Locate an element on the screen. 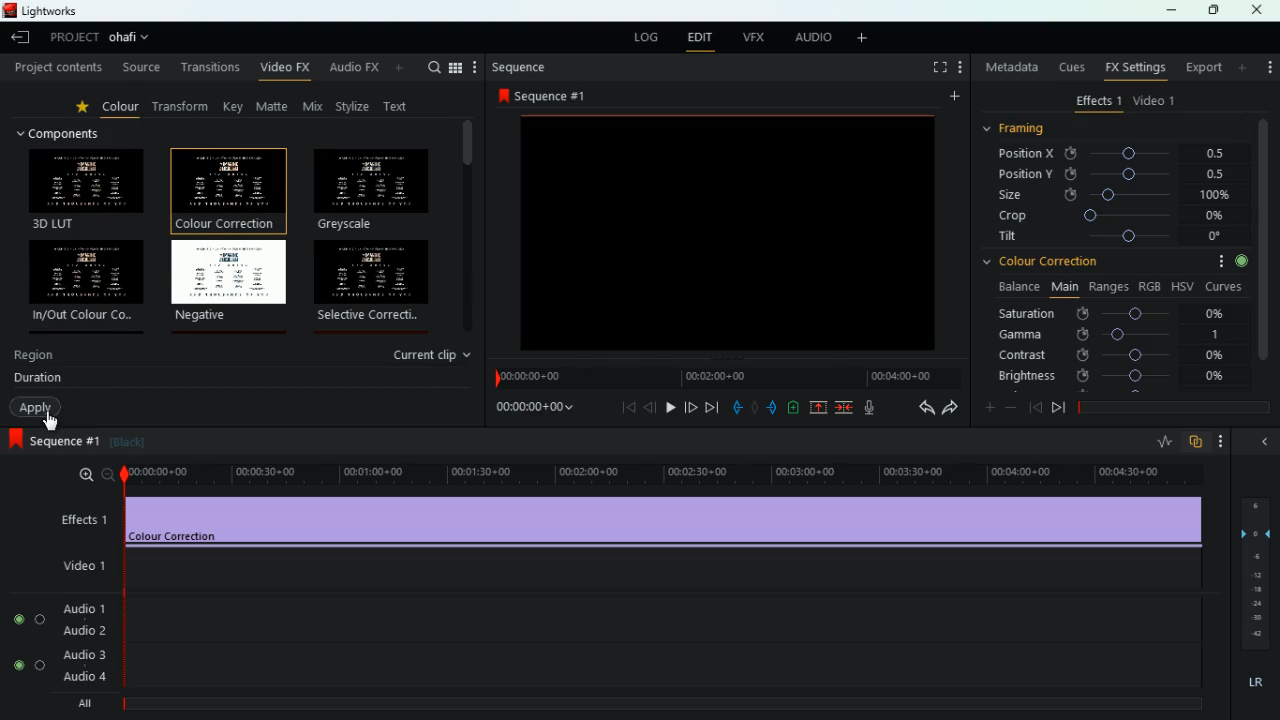  back is located at coordinates (630, 408).